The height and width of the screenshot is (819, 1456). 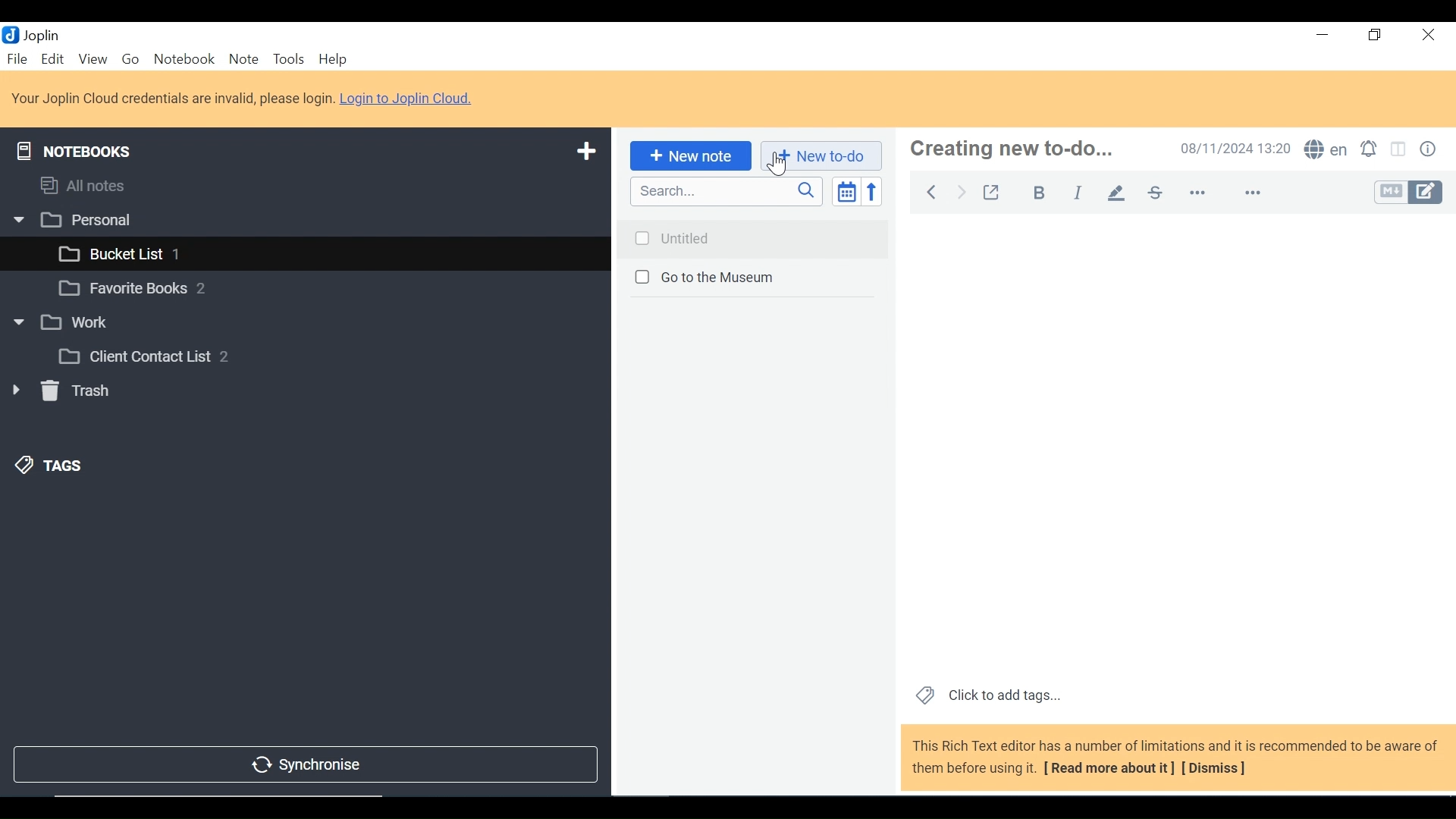 I want to click on minimize, so click(x=1323, y=37).